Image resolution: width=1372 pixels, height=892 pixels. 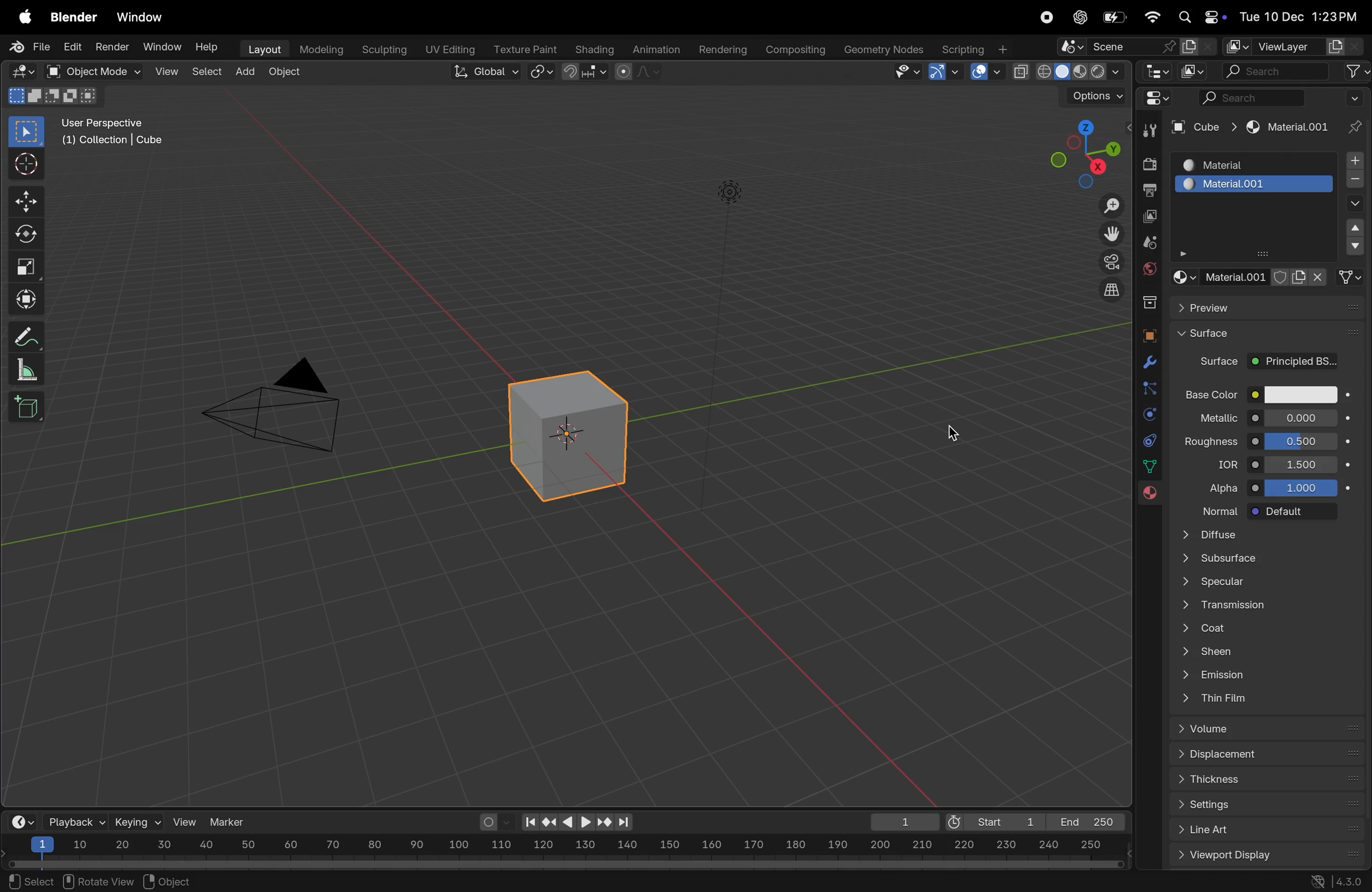 What do you see at coordinates (1272, 729) in the screenshot?
I see `volume` at bounding box center [1272, 729].